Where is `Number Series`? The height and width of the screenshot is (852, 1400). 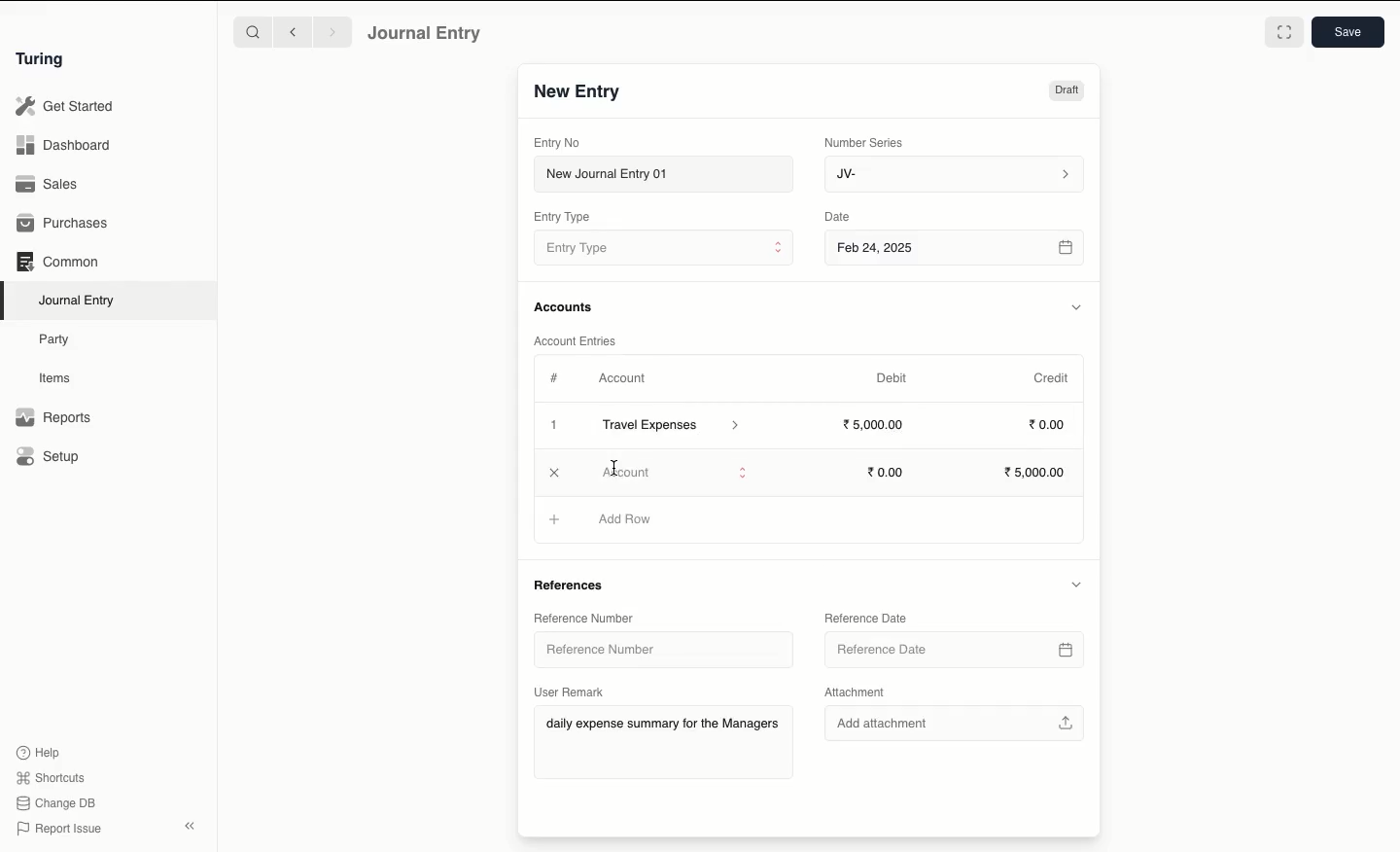
Number Series is located at coordinates (867, 143).